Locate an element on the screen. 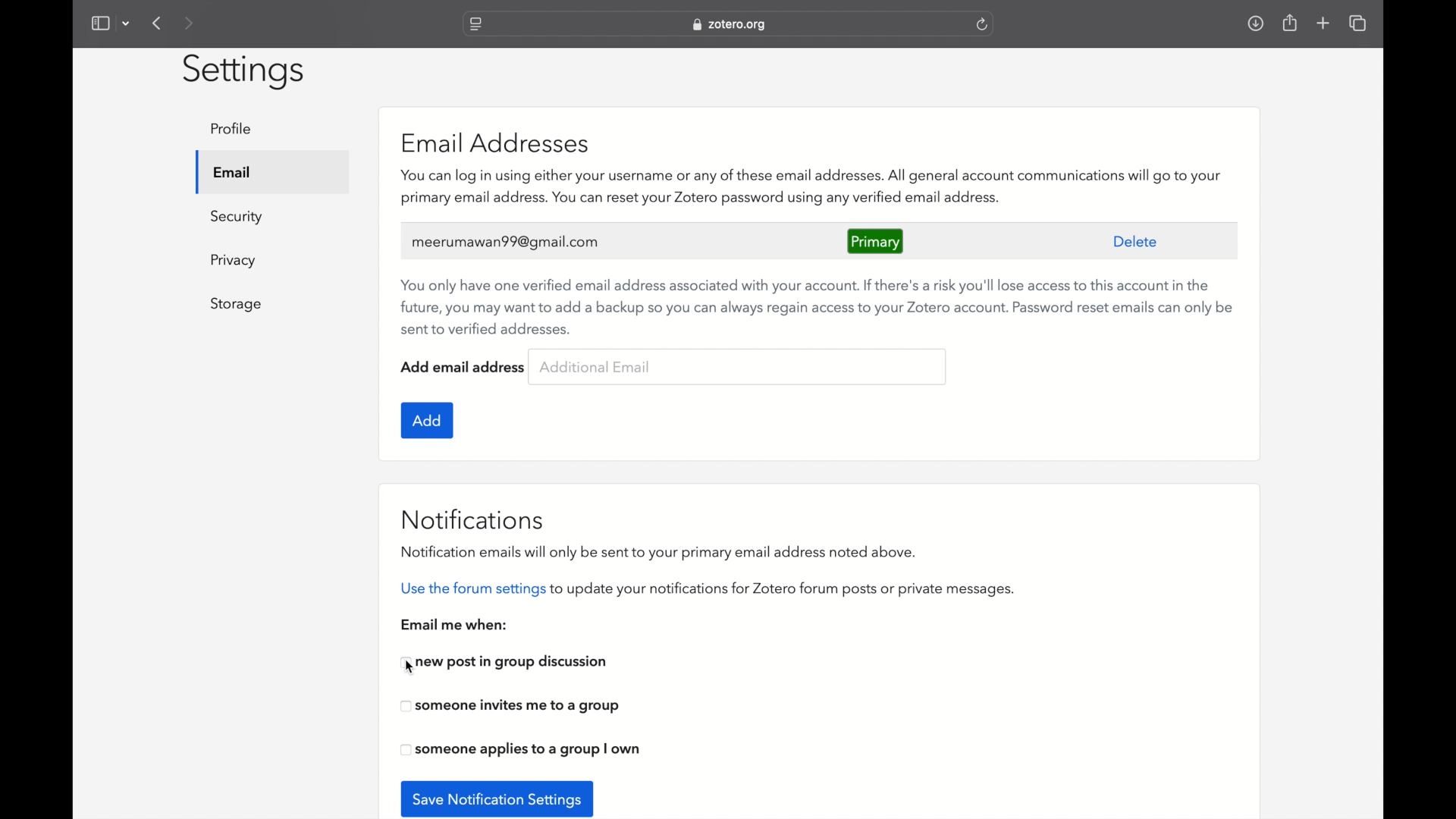 The height and width of the screenshot is (819, 1456). use the forum settings to update your notifications for zotero forum posts or private messages is located at coordinates (706, 589).